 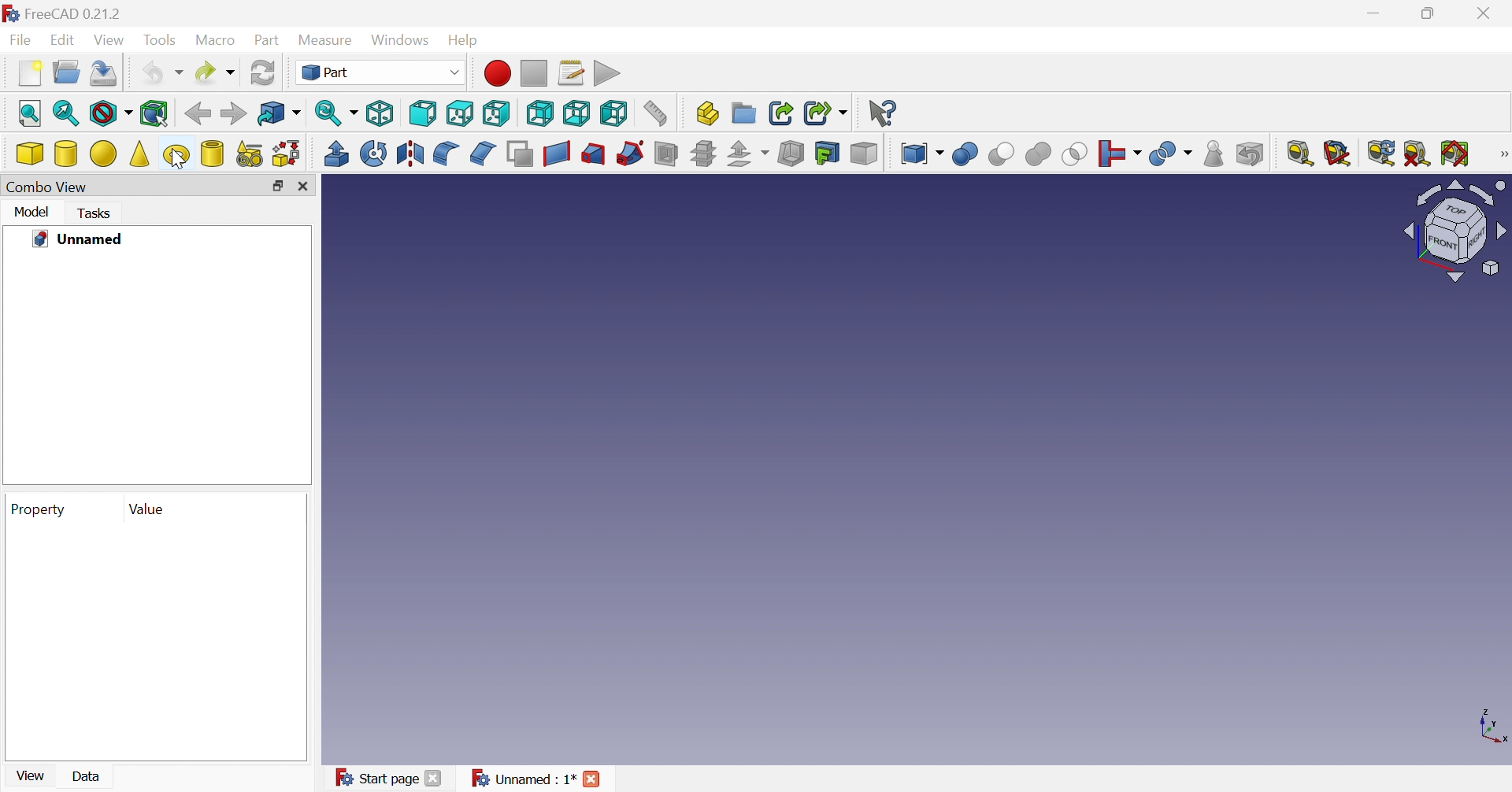 What do you see at coordinates (1039, 154) in the screenshot?
I see `Union` at bounding box center [1039, 154].